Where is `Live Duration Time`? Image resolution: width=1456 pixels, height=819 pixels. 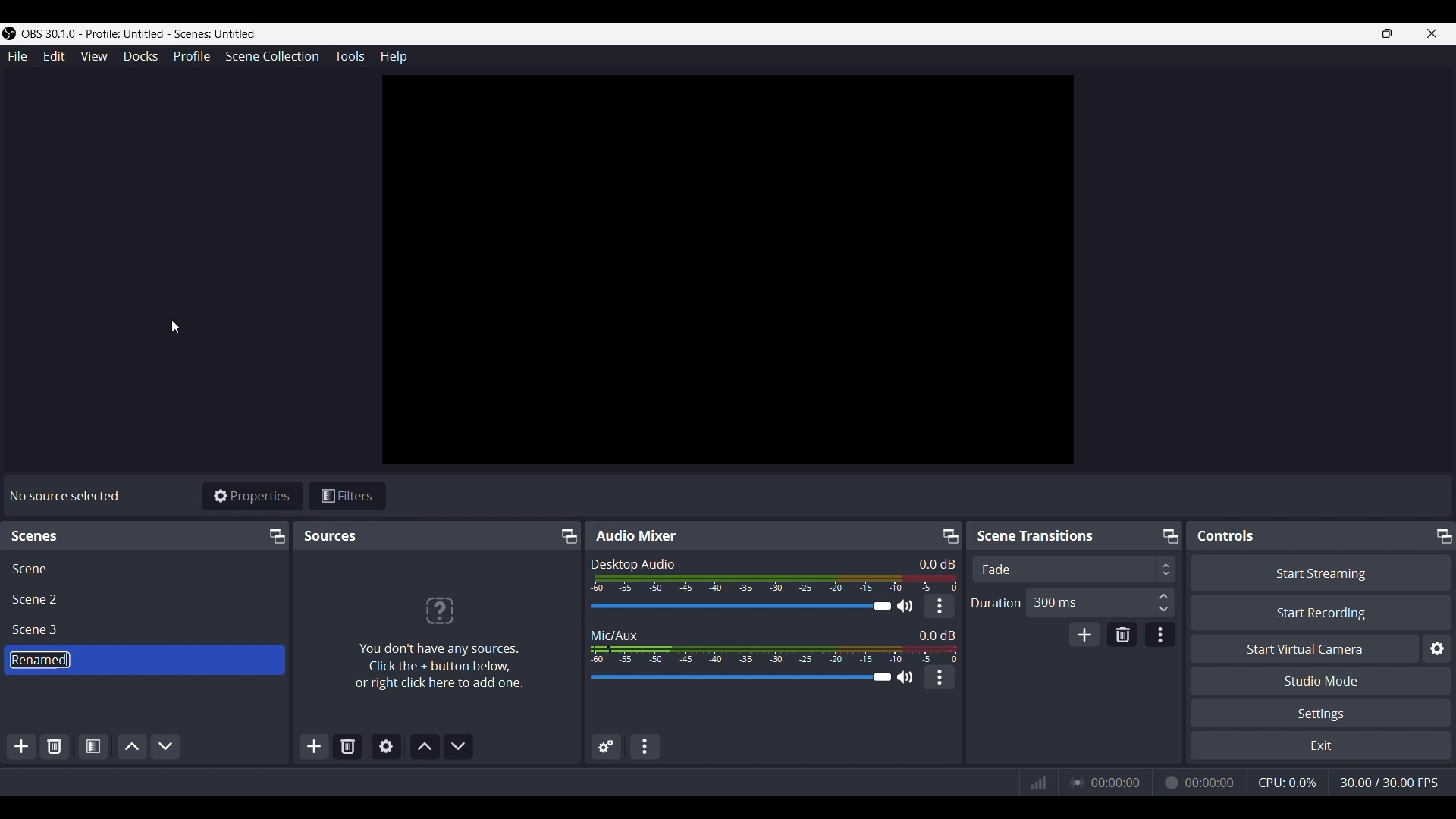 Live Duration Time is located at coordinates (1116, 783).